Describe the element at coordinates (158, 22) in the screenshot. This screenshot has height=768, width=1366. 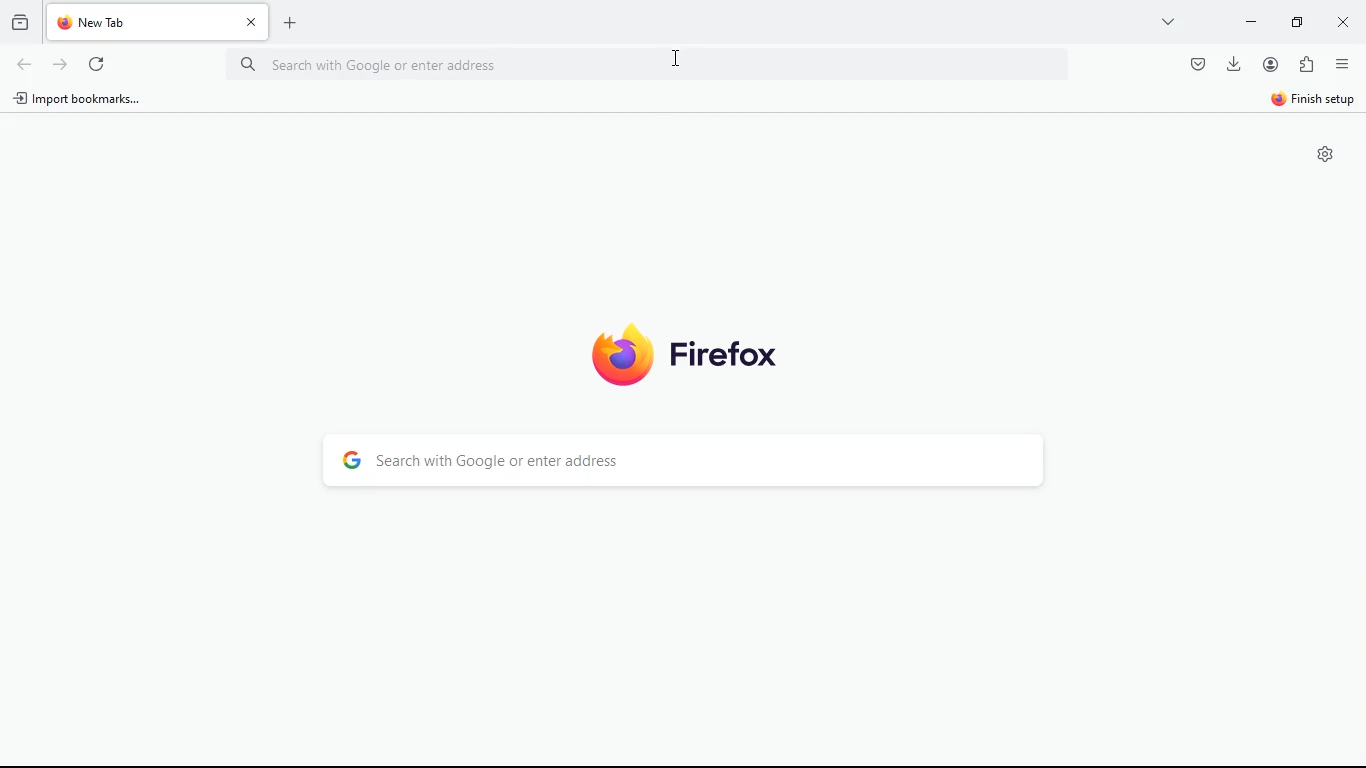
I see `tab` at that location.